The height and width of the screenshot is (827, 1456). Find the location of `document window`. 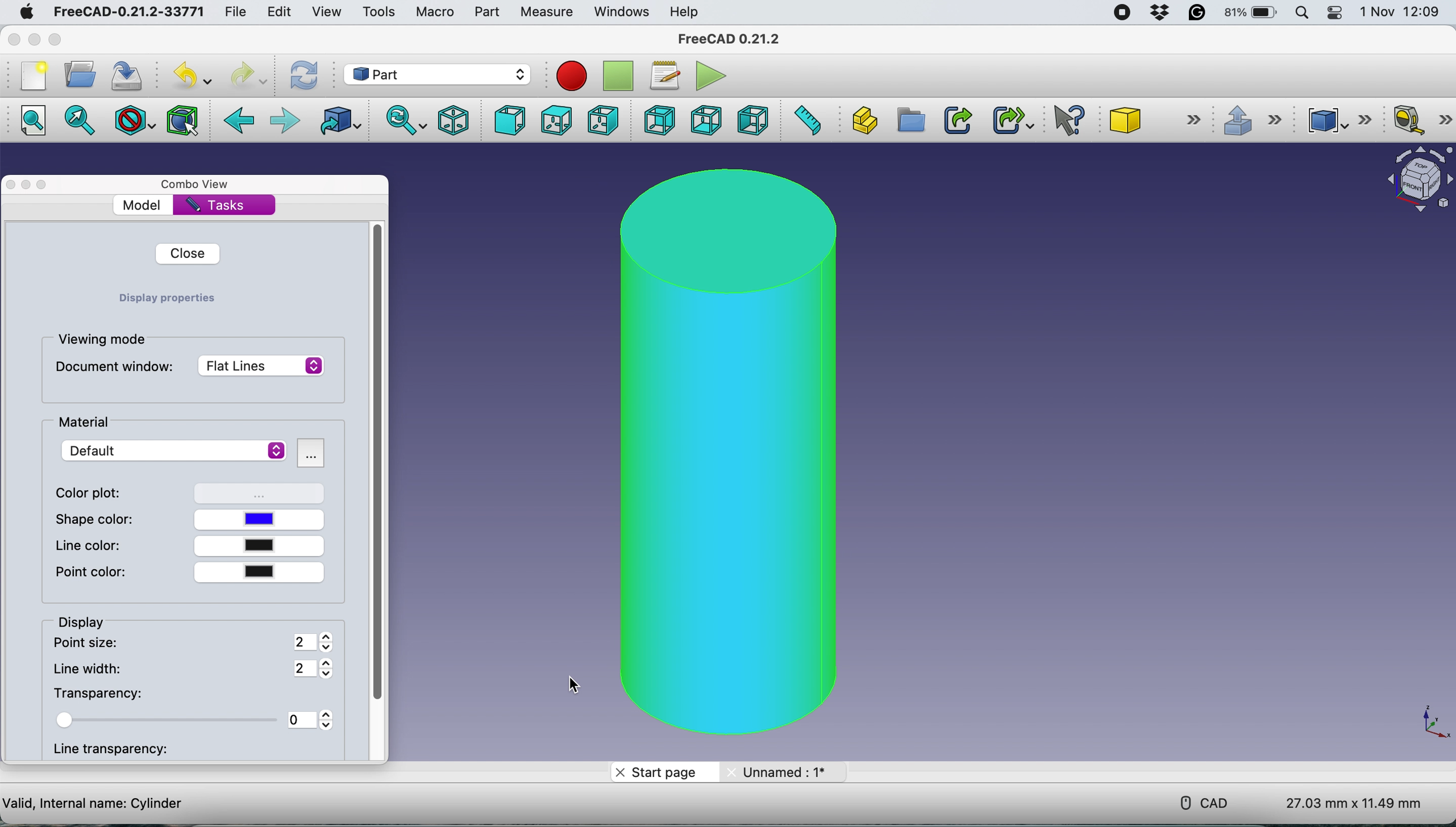

document window is located at coordinates (189, 369).